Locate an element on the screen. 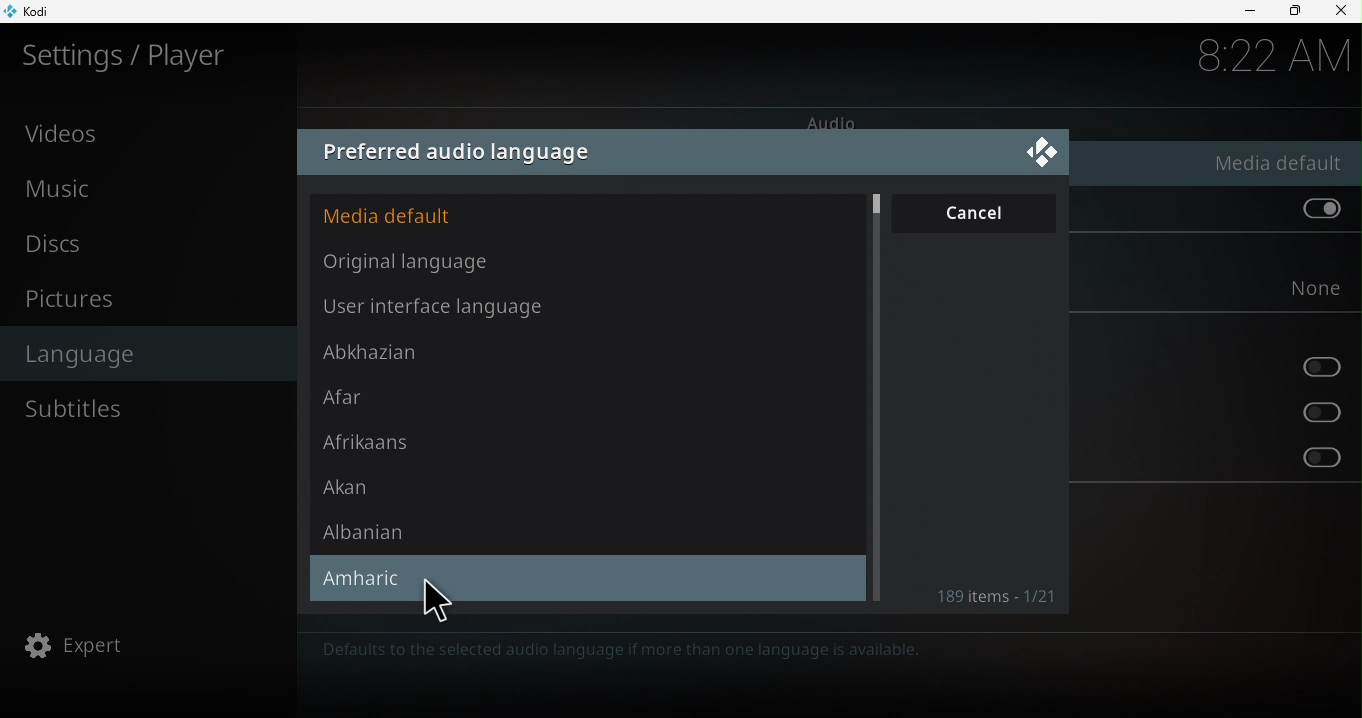 The image size is (1362, 718). Preferred subtitle language is located at coordinates (1212, 288).